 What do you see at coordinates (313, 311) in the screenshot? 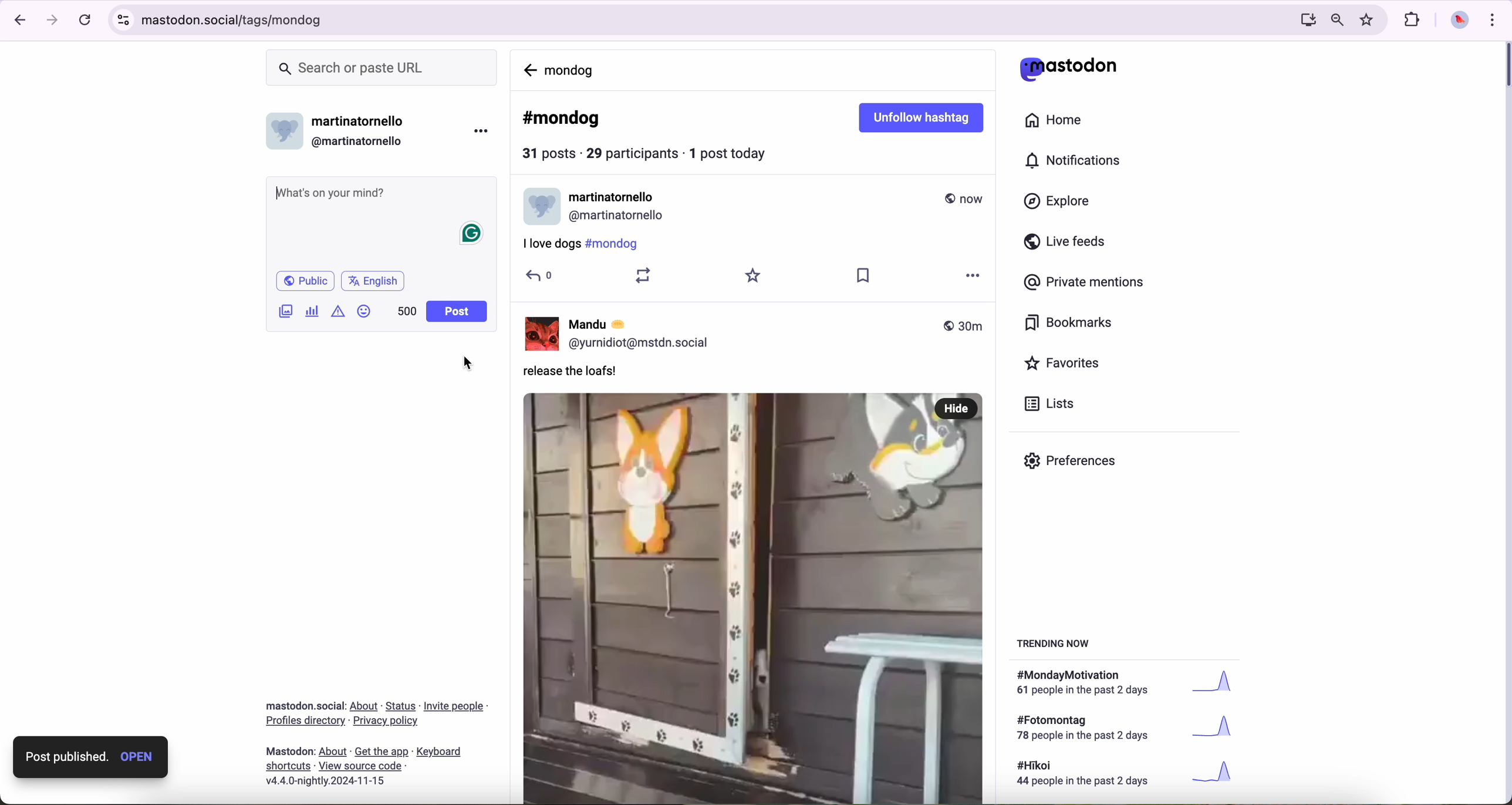
I see `create a poll` at bounding box center [313, 311].